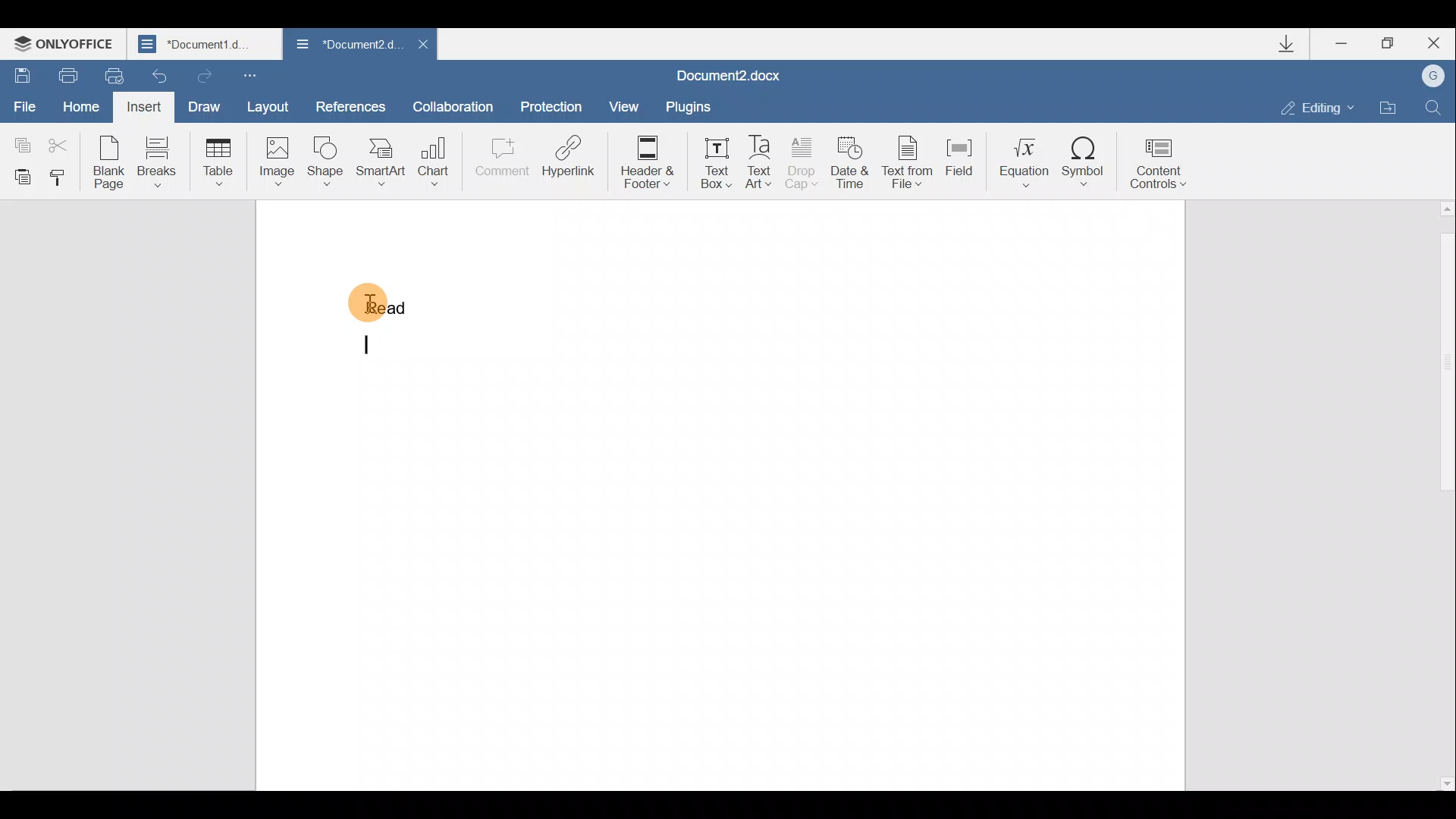 The height and width of the screenshot is (819, 1456). What do you see at coordinates (833, 493) in the screenshot?
I see `Working area` at bounding box center [833, 493].